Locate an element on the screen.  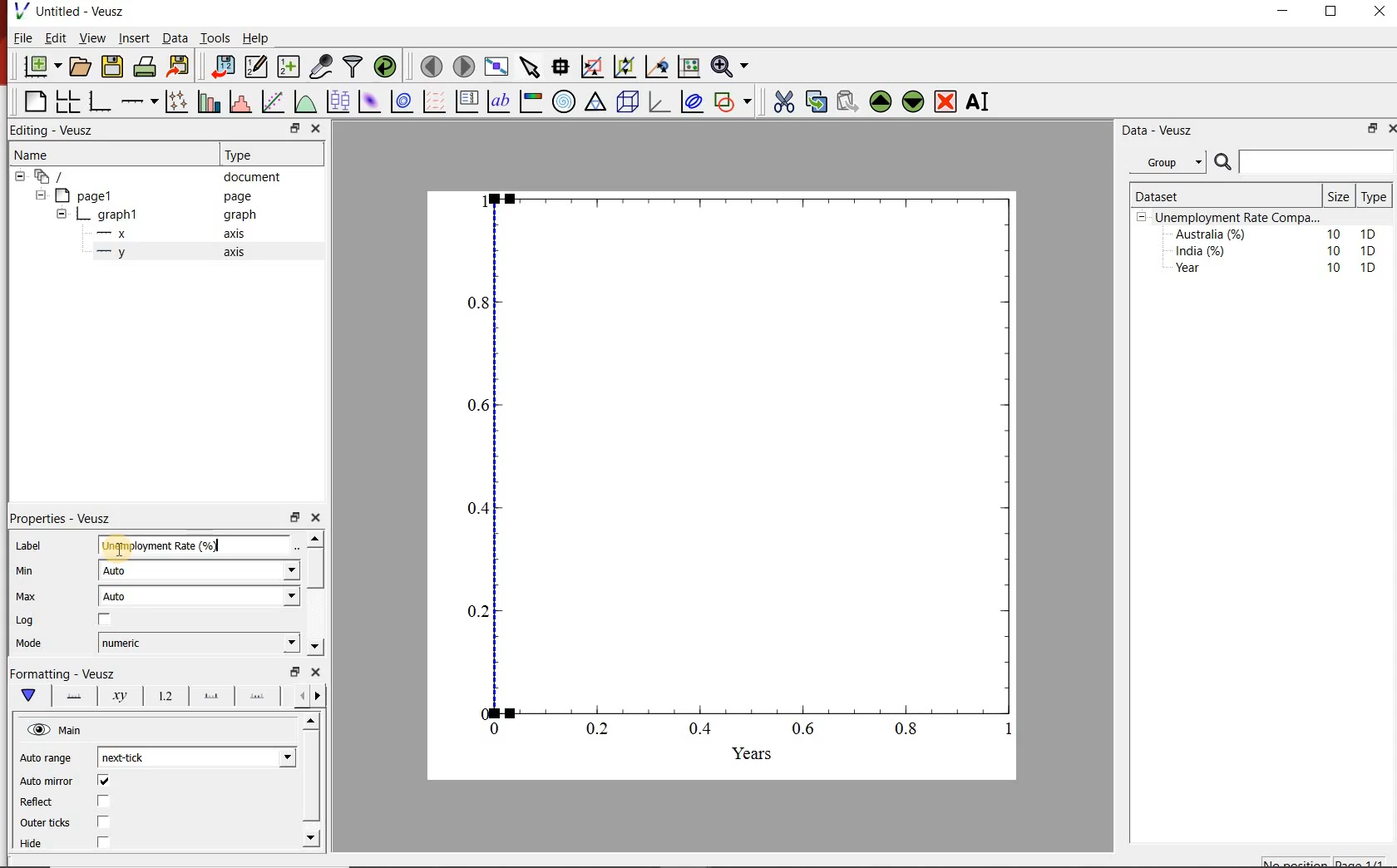
minor ticks is located at coordinates (258, 694).